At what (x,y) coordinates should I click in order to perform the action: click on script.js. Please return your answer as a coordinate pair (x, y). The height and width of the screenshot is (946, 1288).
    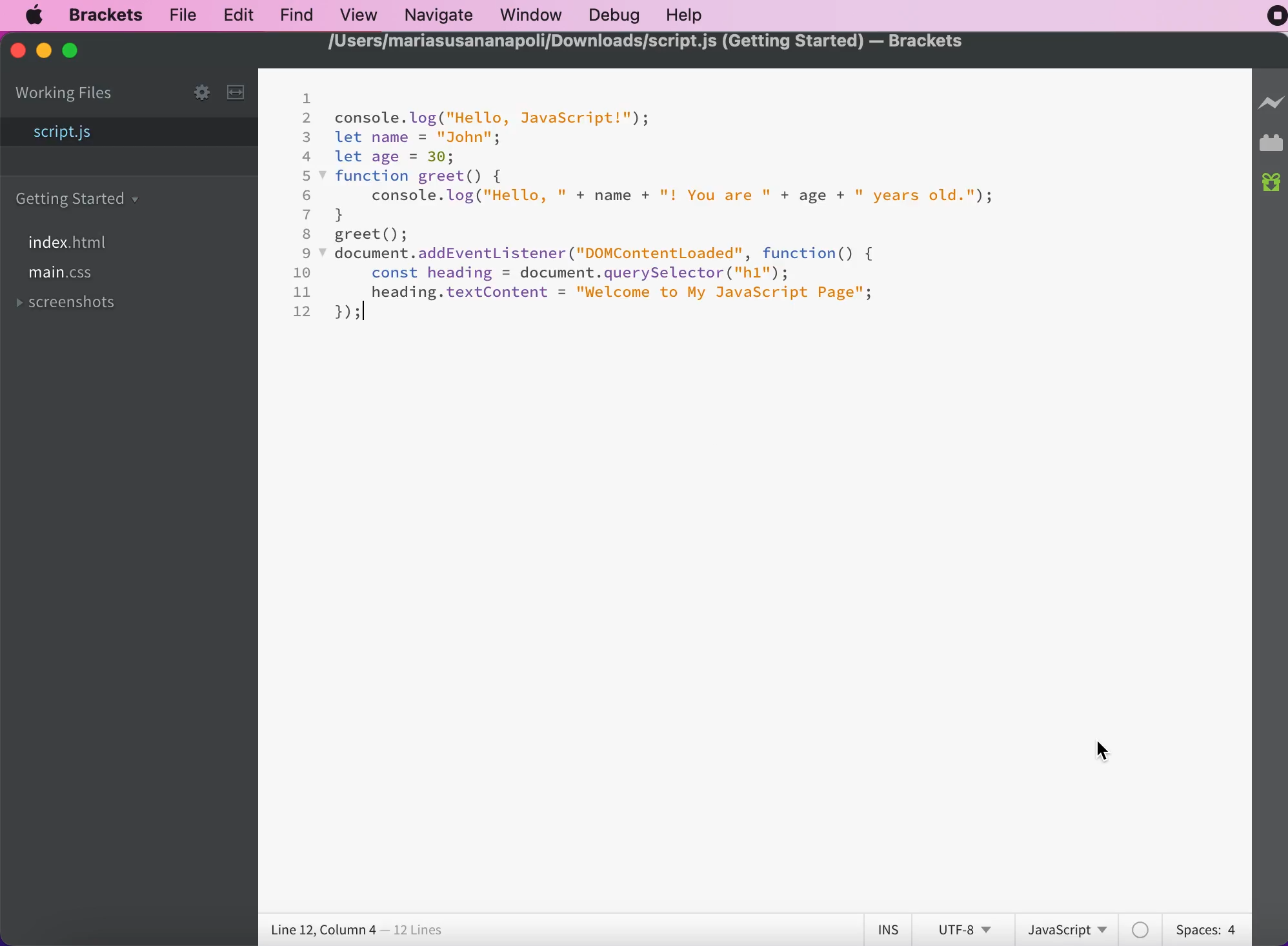
    Looking at the image, I should click on (131, 134).